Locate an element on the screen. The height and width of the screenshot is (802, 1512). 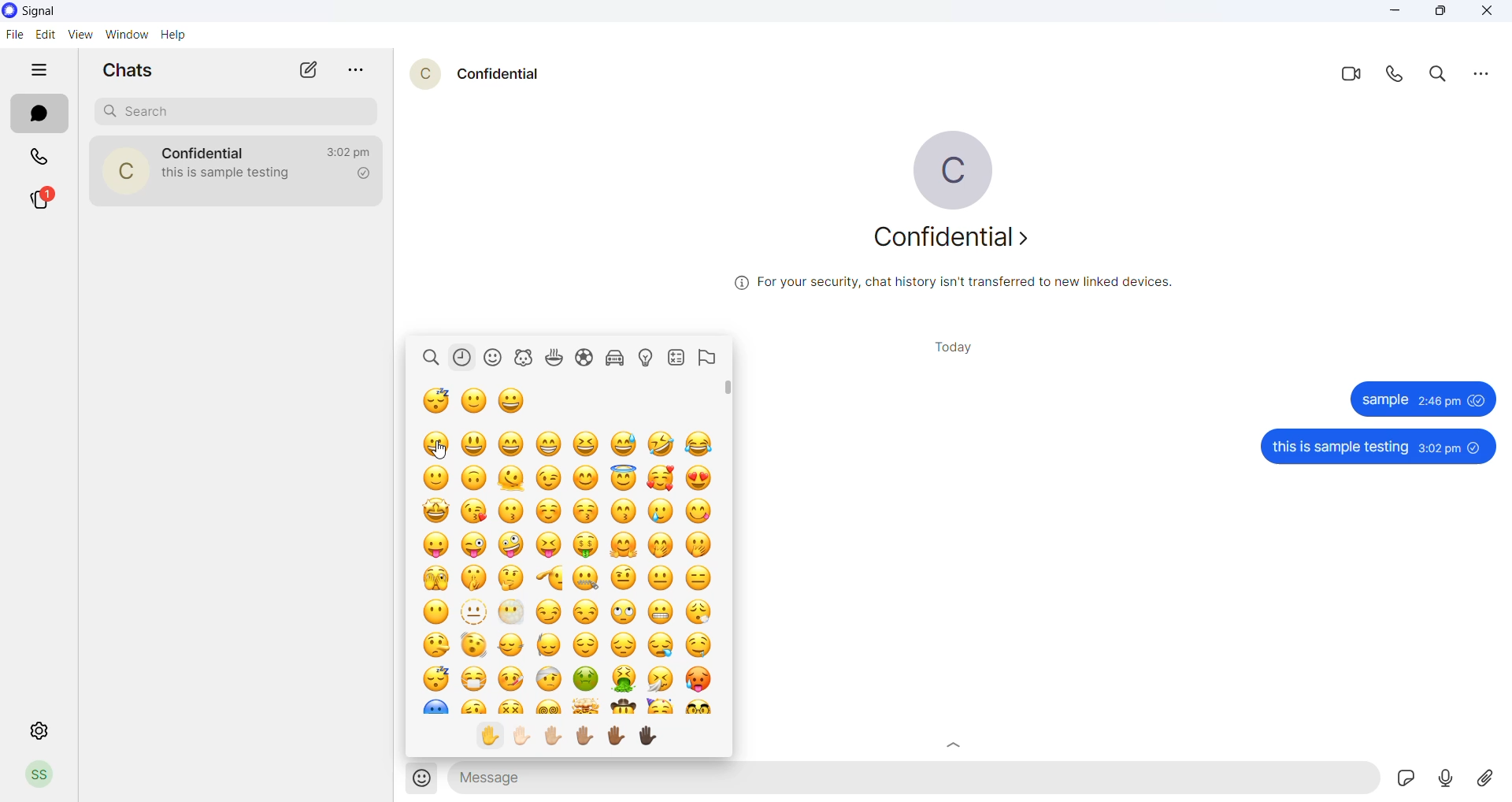
3:02 pm is located at coordinates (1439, 447).